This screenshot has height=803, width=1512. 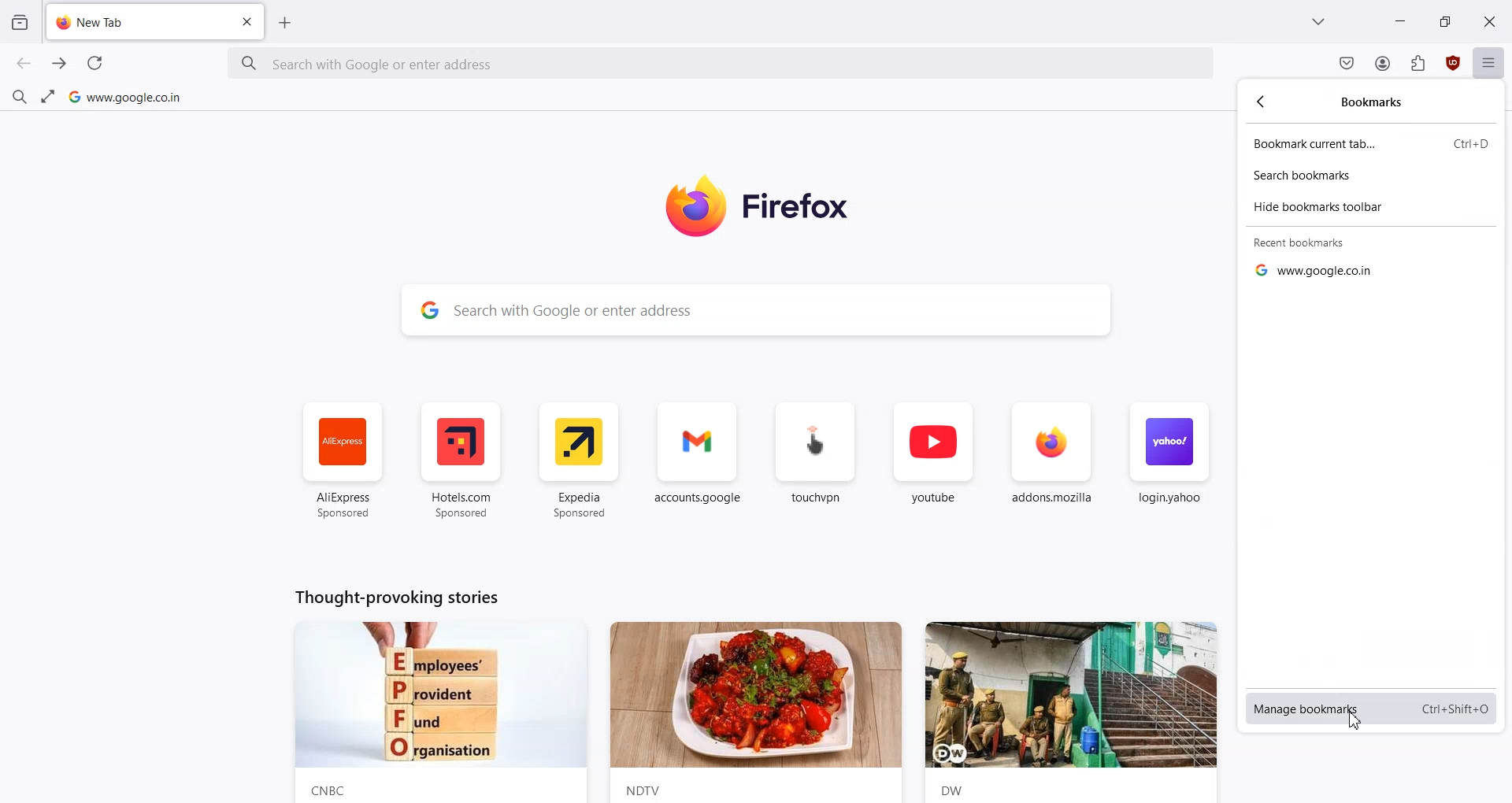 What do you see at coordinates (1320, 21) in the screenshot?
I see `List all tab` at bounding box center [1320, 21].